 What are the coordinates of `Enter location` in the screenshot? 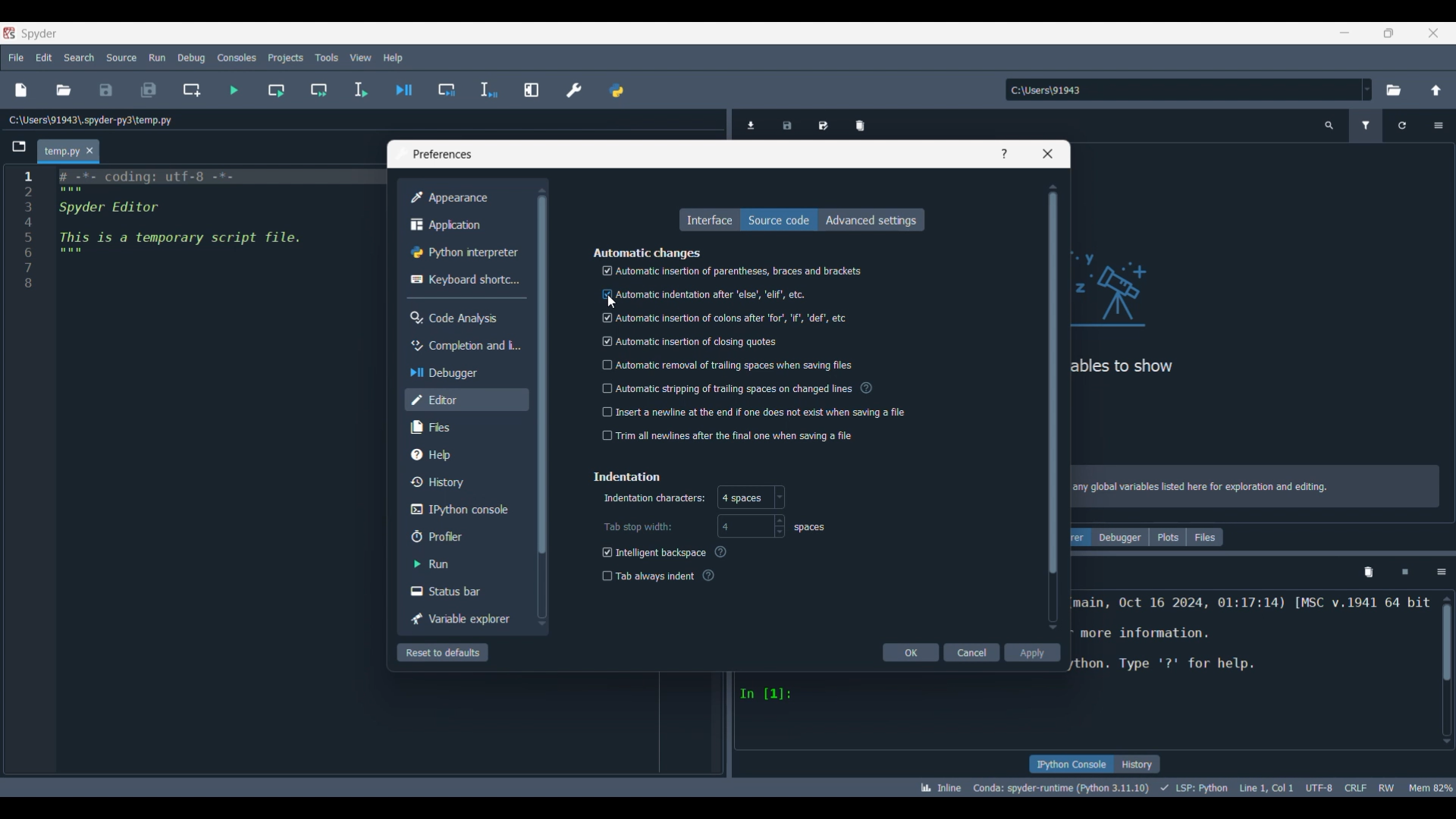 It's located at (1182, 89).